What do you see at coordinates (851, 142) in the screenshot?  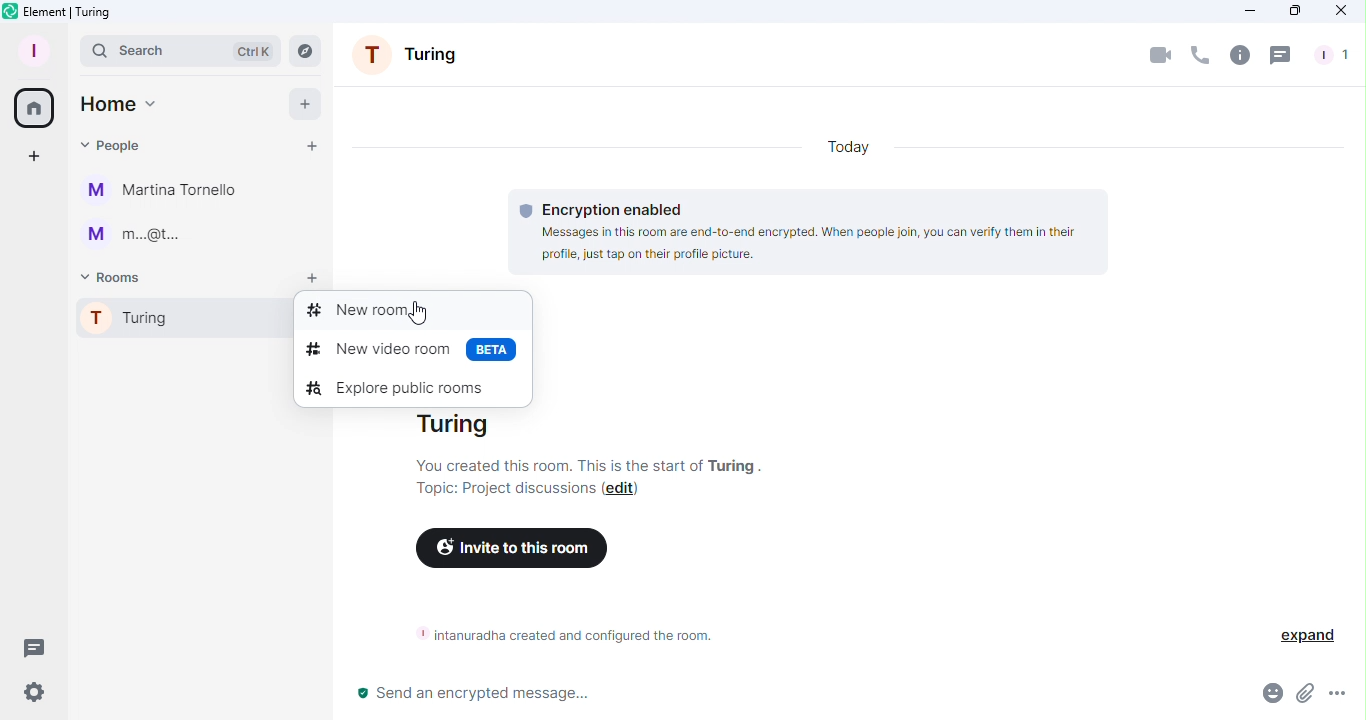 I see `Today` at bounding box center [851, 142].